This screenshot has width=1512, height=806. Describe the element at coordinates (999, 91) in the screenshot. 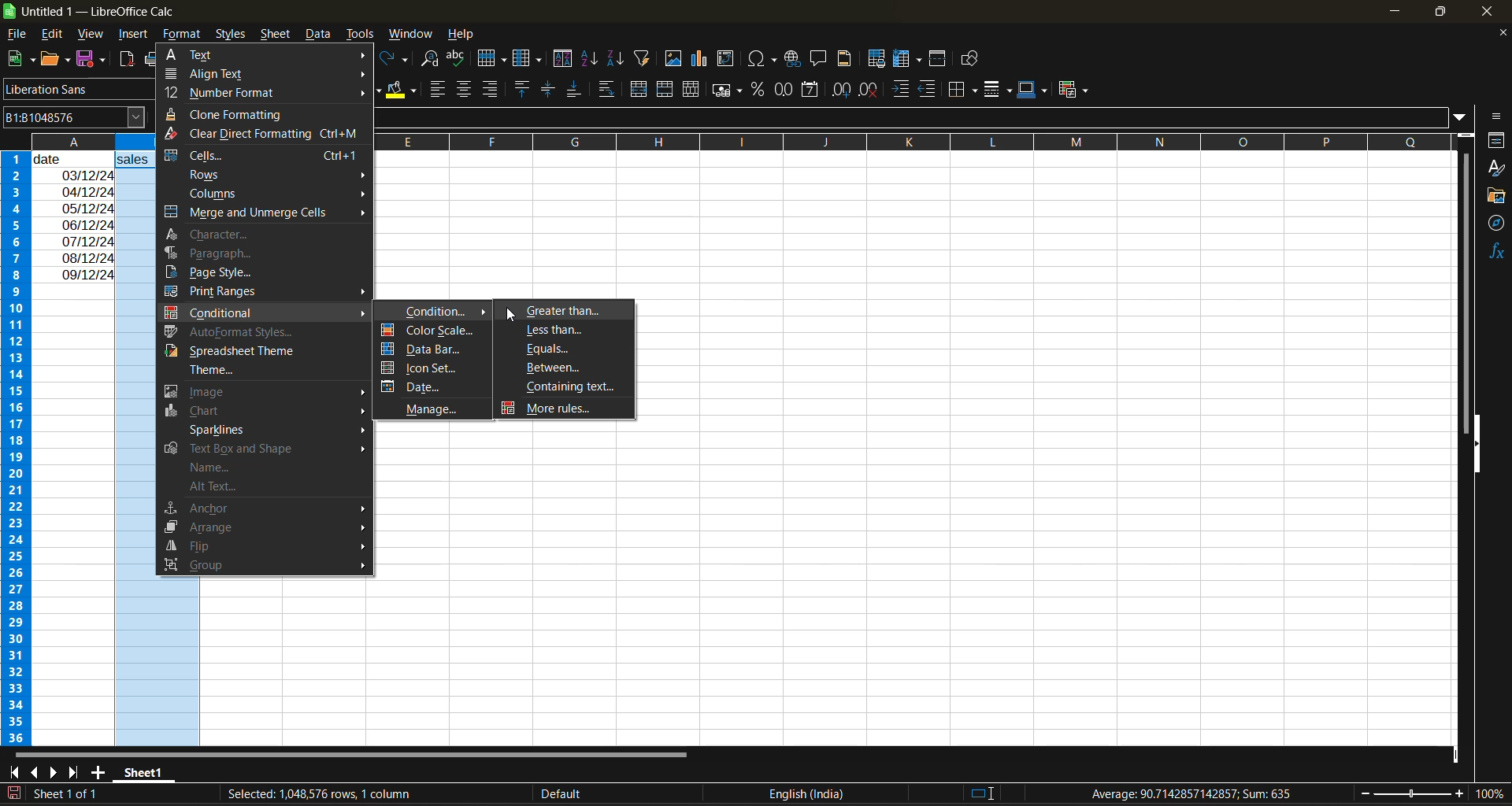

I see `border style` at that location.